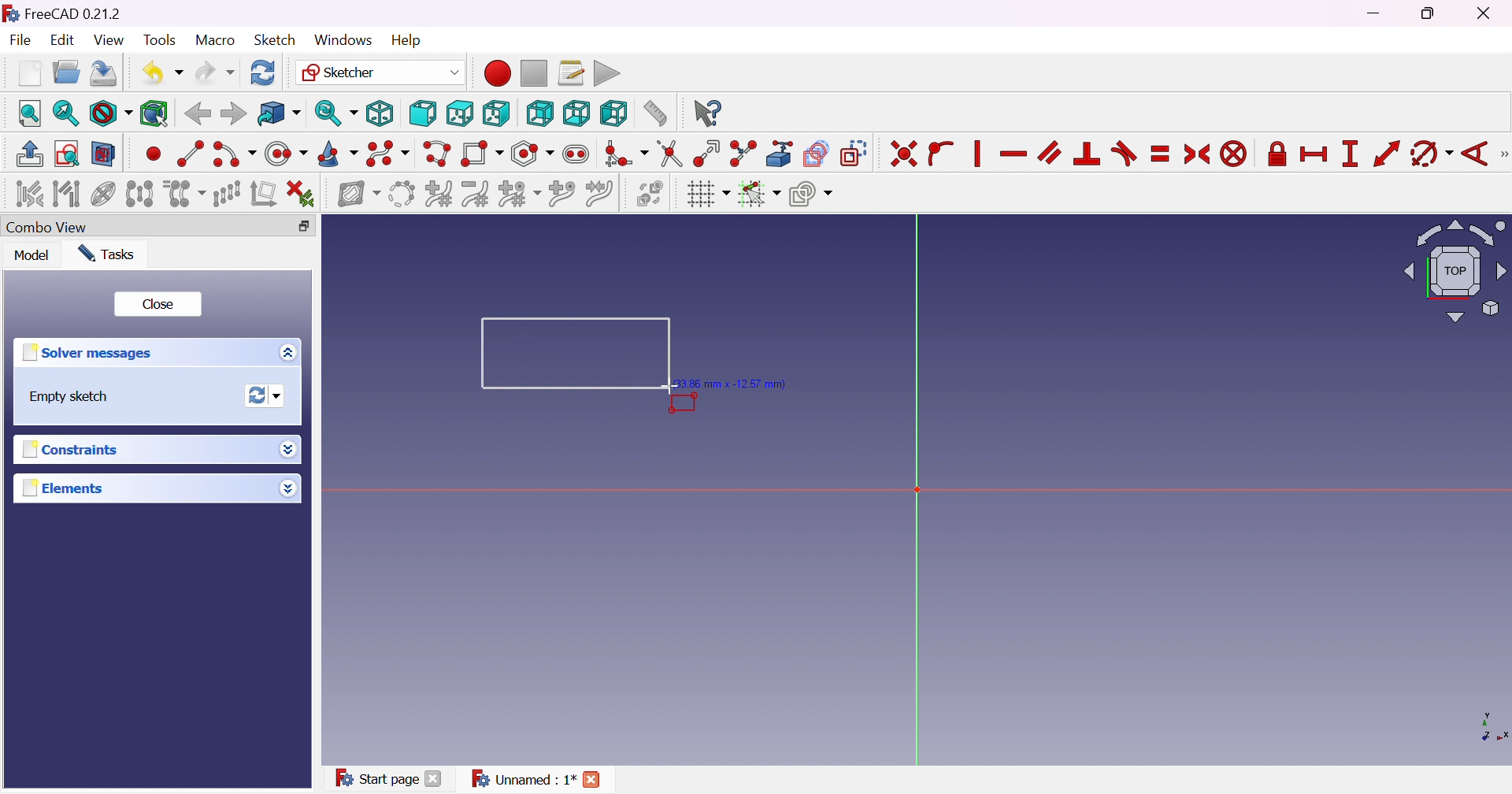 The height and width of the screenshot is (794, 1512). I want to click on Isometric, so click(380, 113).